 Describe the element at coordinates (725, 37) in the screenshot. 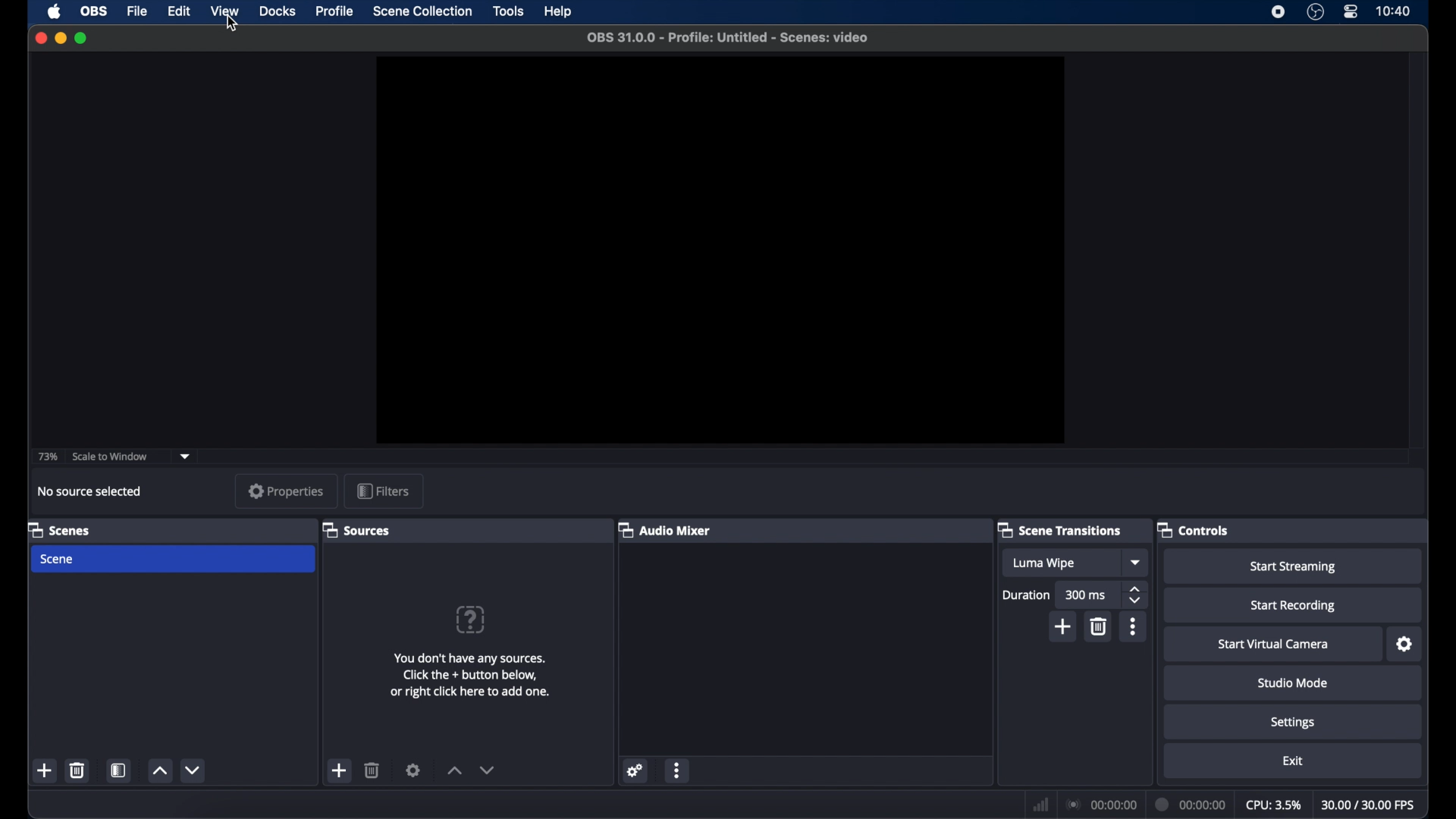

I see `OBS 31.0.0 - Profile: Untitled - Scenes: video` at that location.